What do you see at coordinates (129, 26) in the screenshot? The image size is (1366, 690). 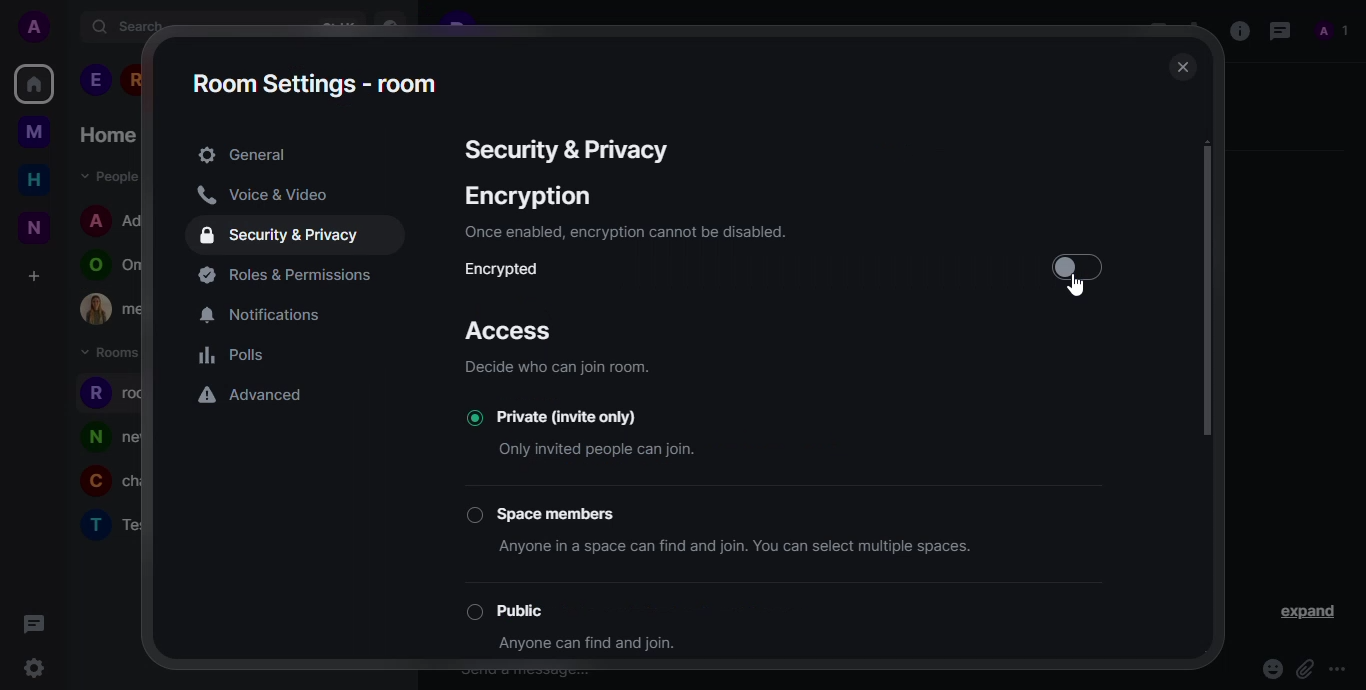 I see `search` at bounding box center [129, 26].